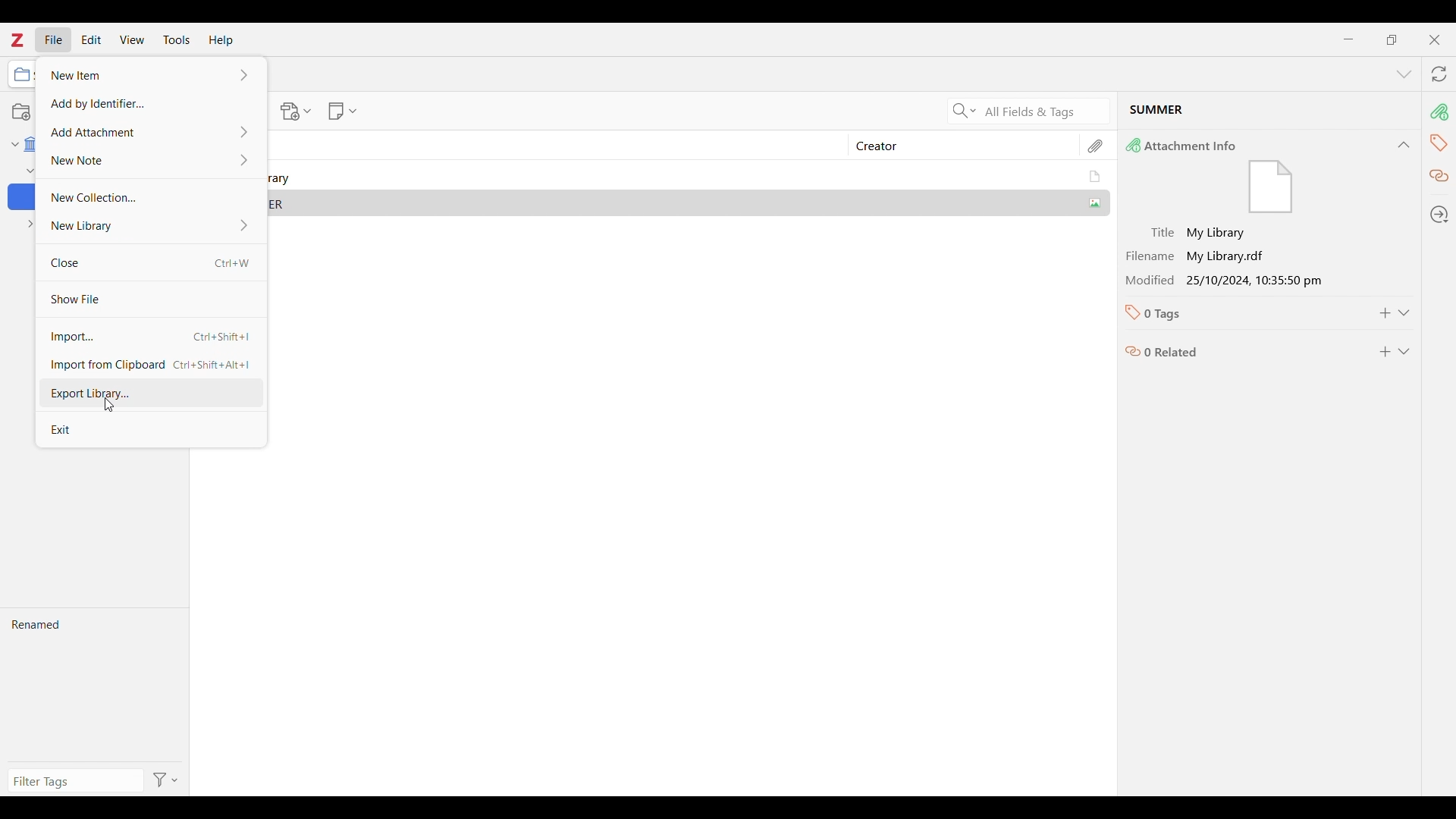 The height and width of the screenshot is (819, 1456). I want to click on Show file, so click(150, 299).